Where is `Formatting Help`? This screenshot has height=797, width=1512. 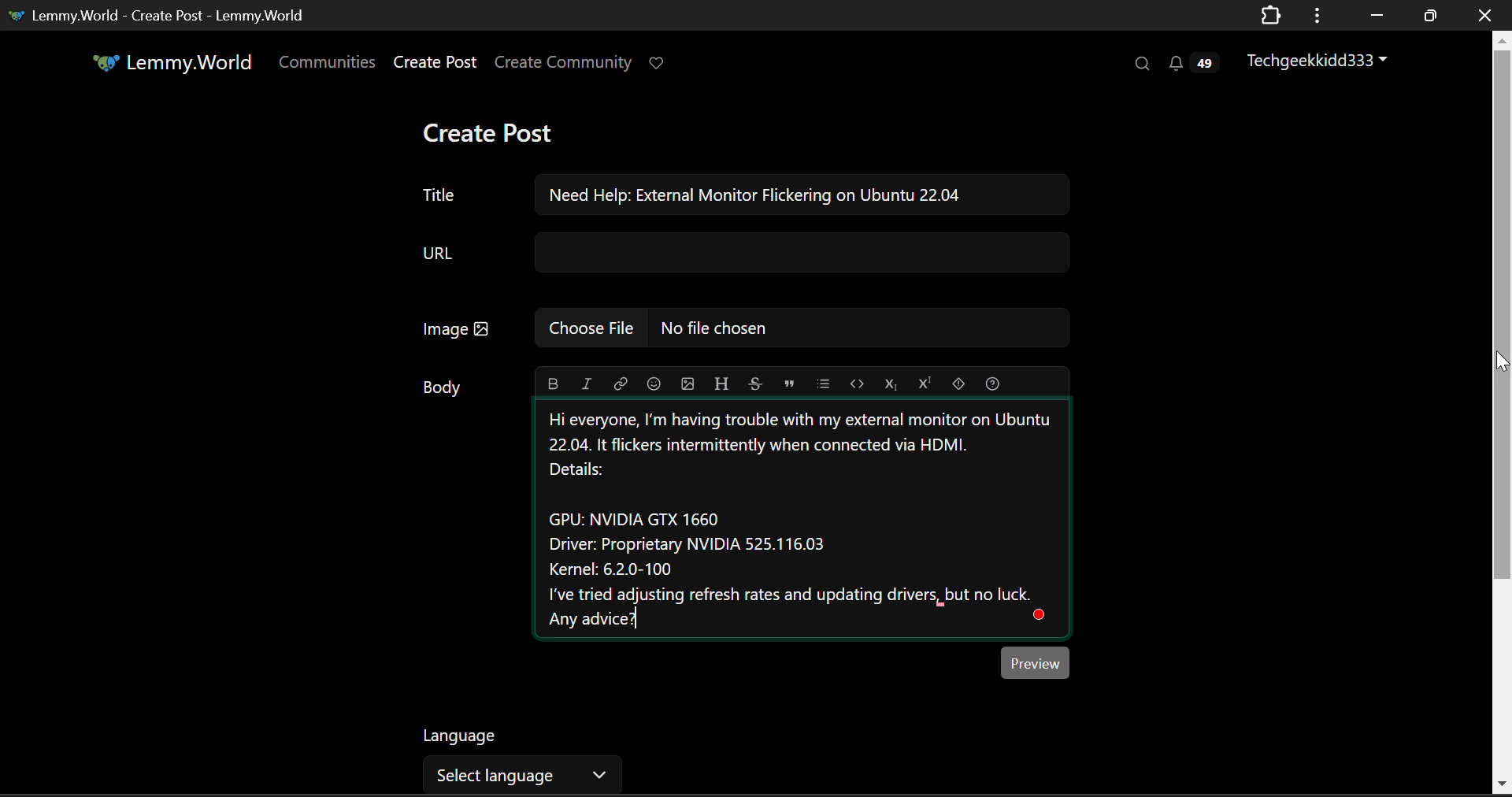 Formatting Help is located at coordinates (993, 384).